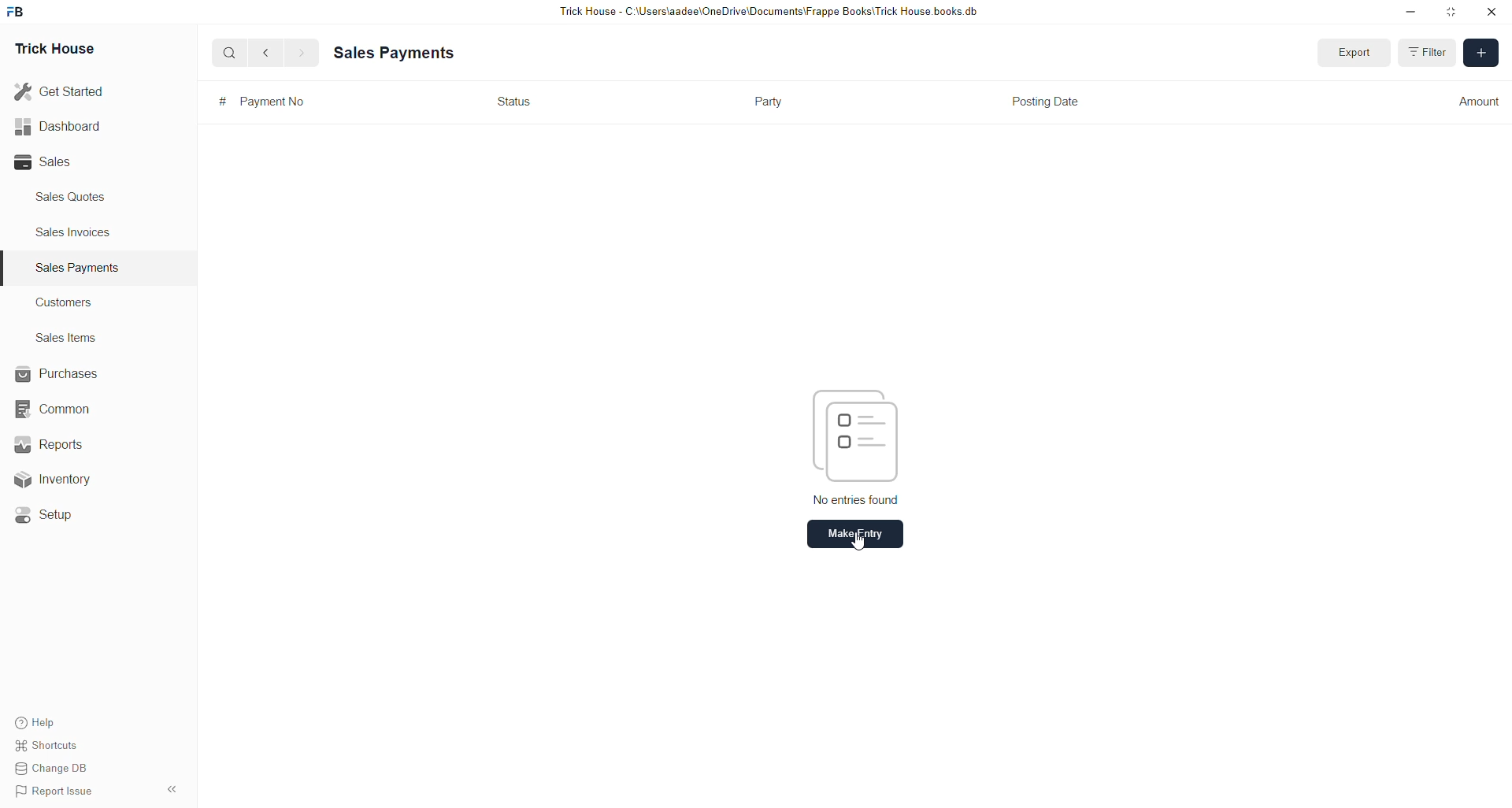  Describe the element at coordinates (514, 101) in the screenshot. I see `Status` at that location.